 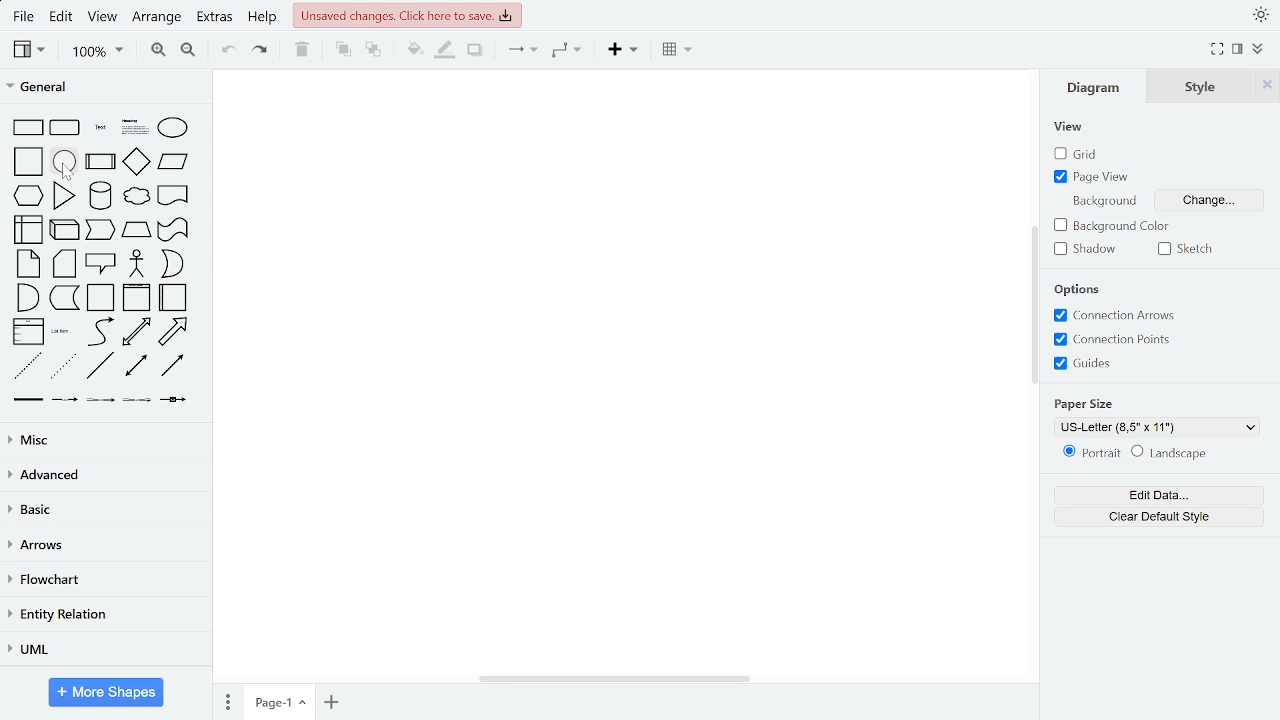 I want to click on format, so click(x=1235, y=48).